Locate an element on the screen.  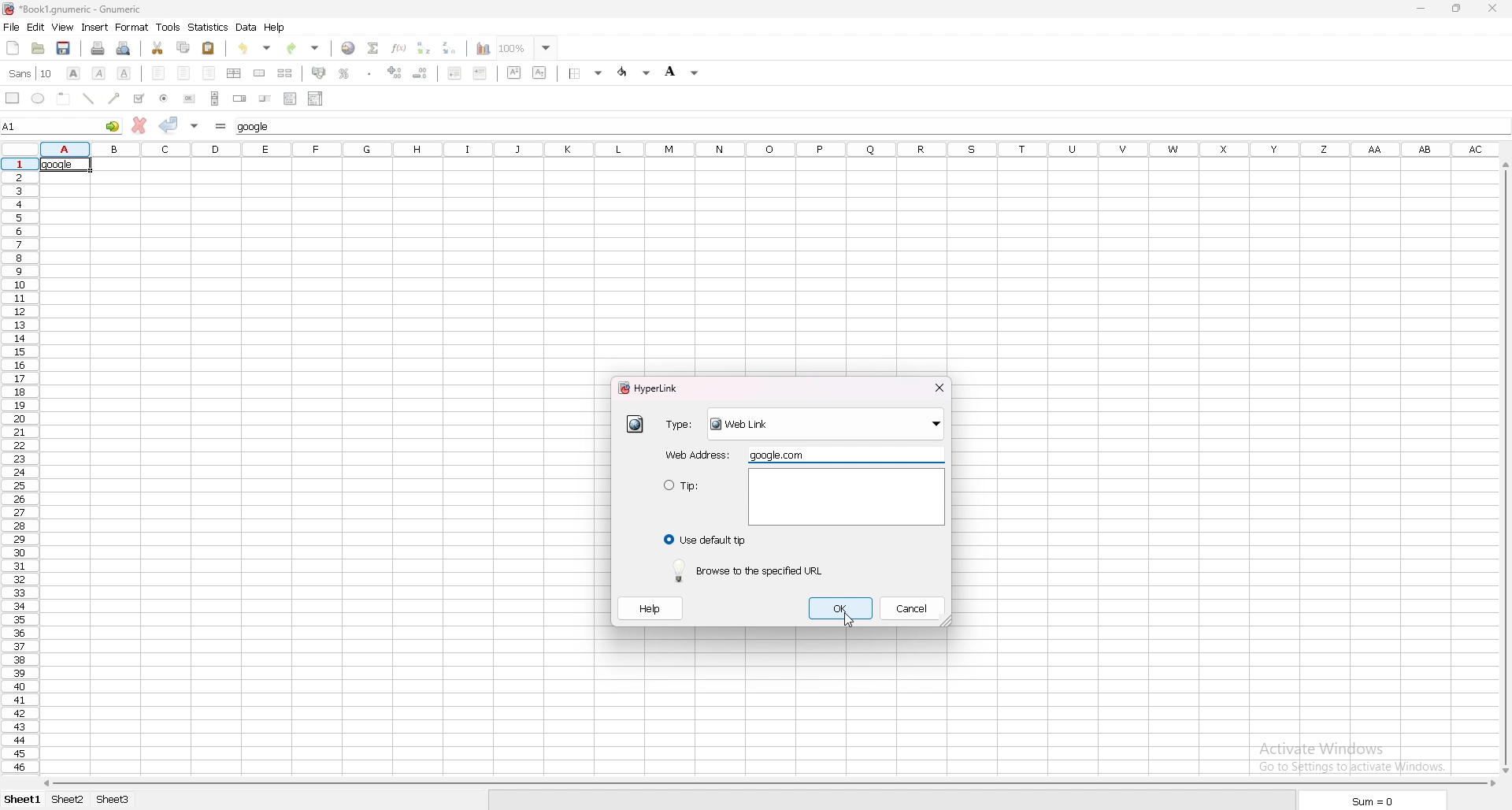
increase indent is located at coordinates (480, 72).